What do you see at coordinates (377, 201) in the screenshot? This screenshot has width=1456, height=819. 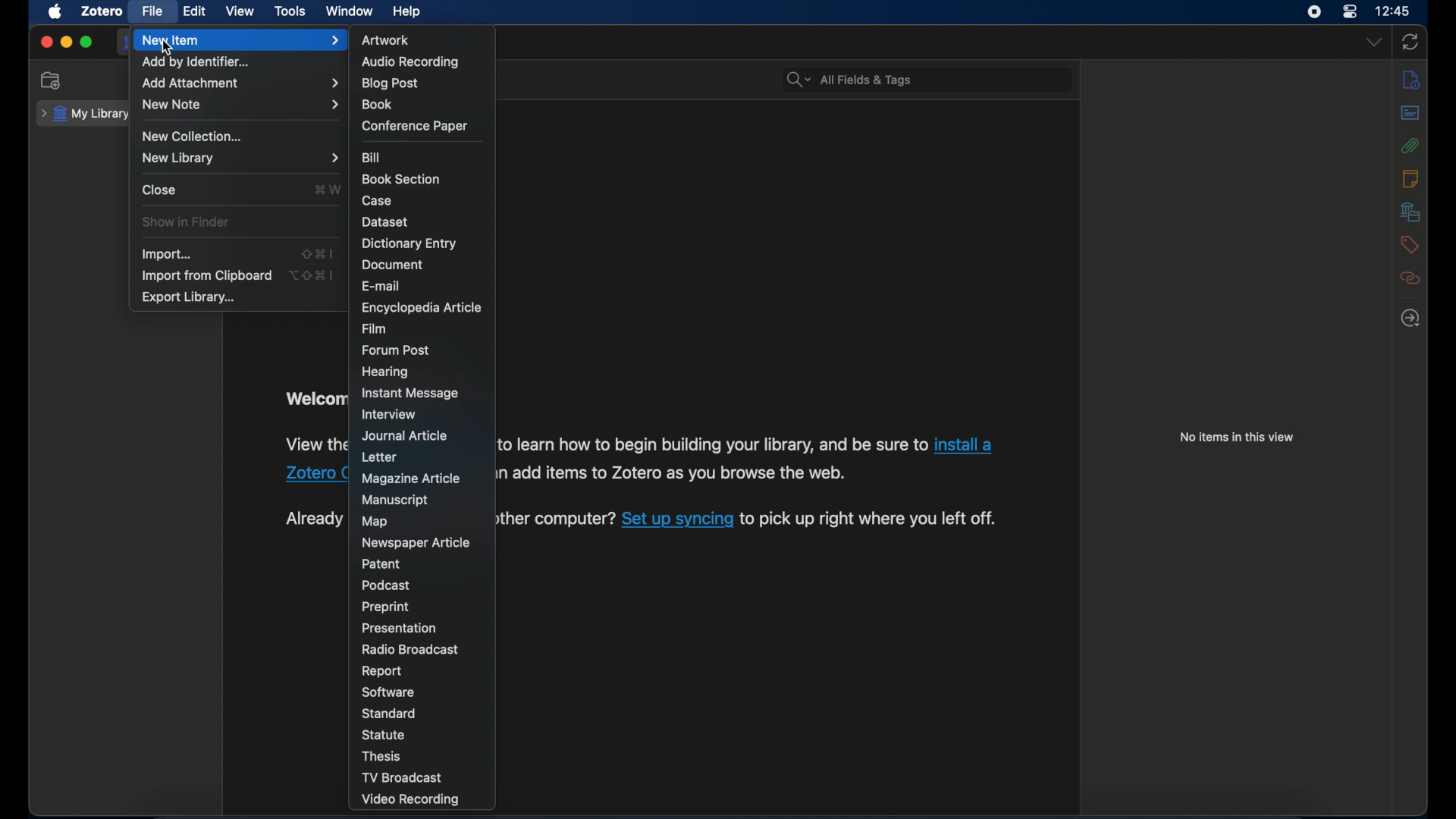 I see `case` at bounding box center [377, 201].